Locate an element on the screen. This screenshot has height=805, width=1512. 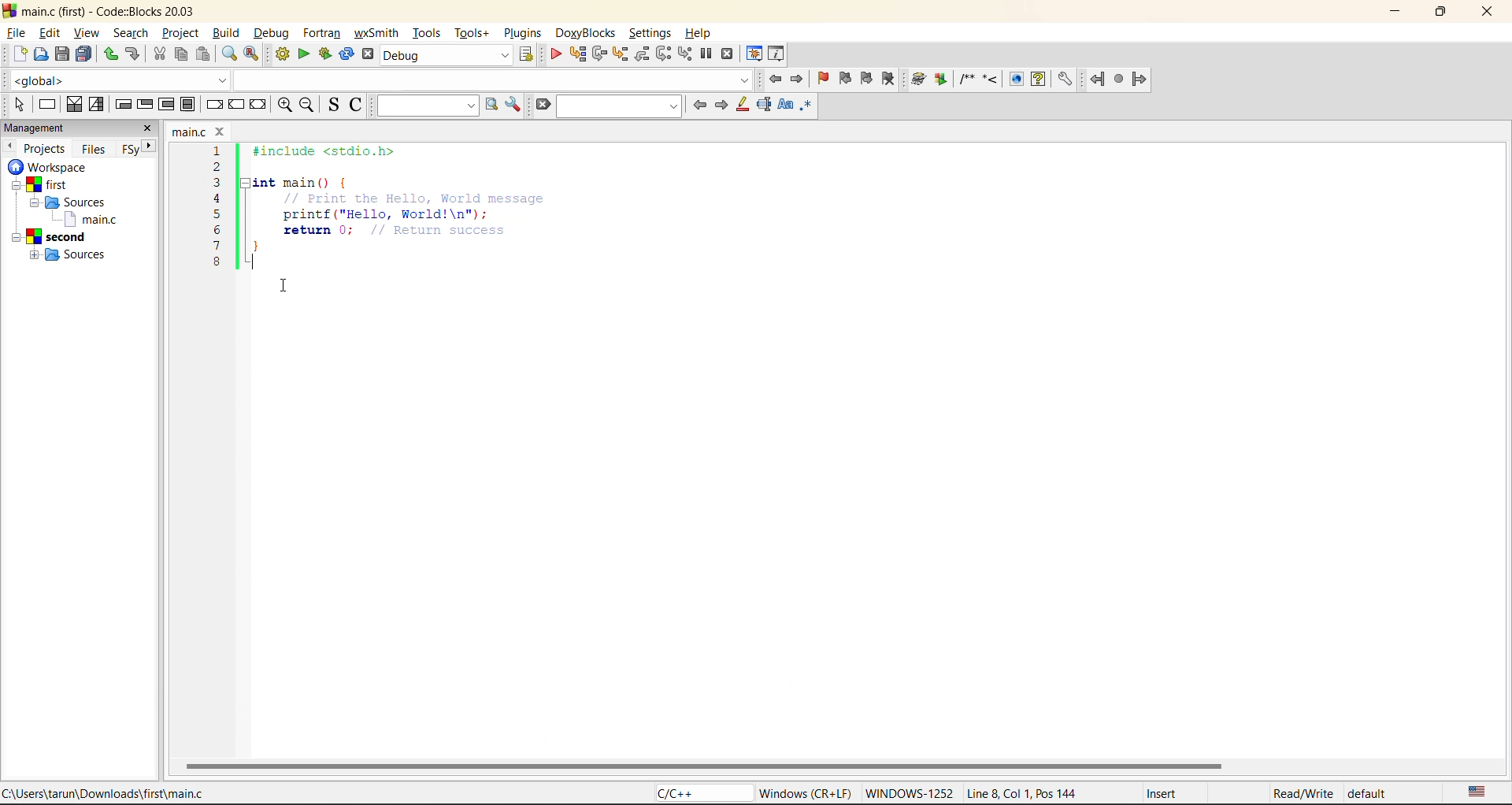
clear bookmarks is located at coordinates (892, 78).